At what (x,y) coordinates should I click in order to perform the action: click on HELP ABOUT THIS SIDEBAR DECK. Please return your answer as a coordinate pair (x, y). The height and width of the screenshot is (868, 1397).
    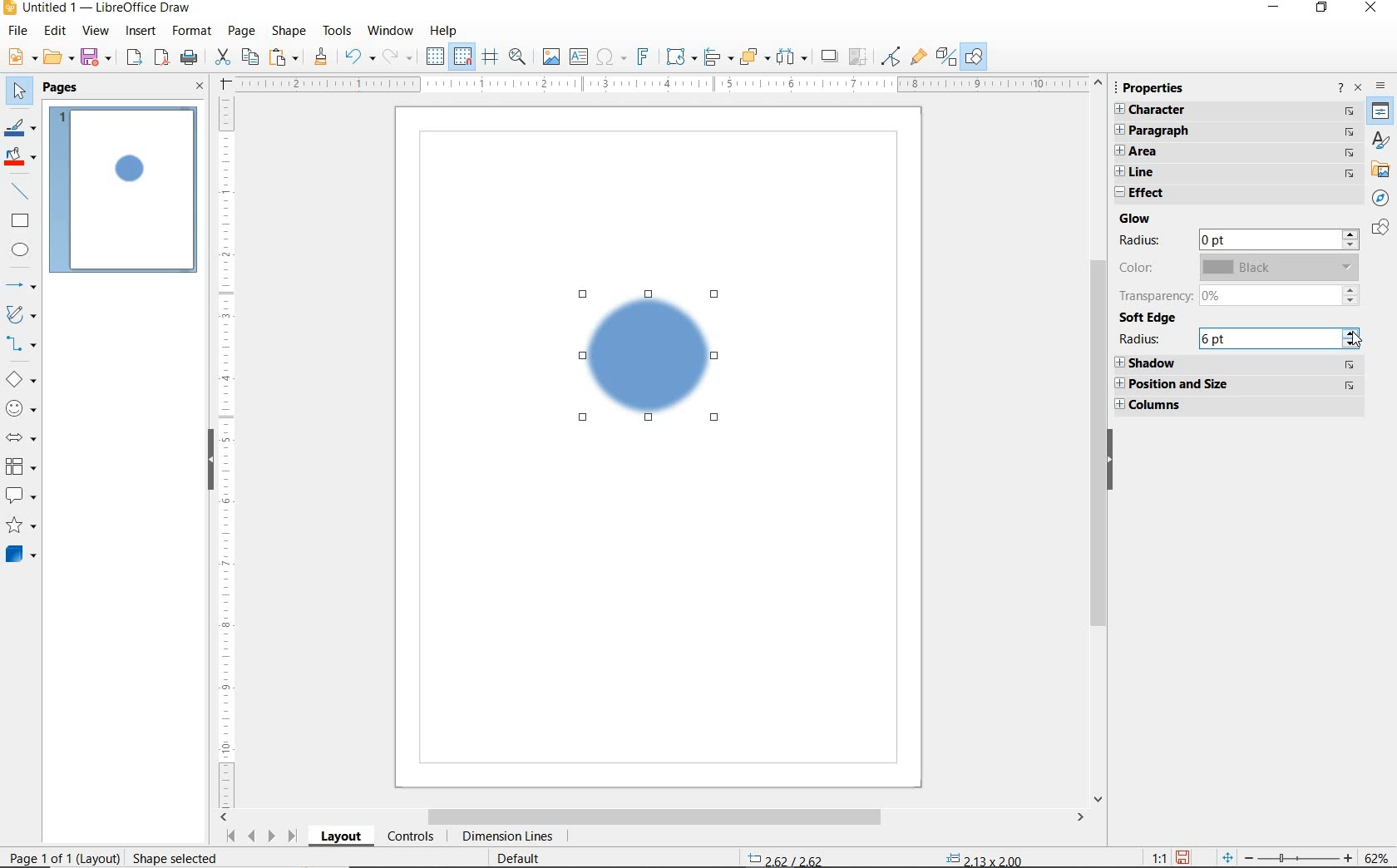
    Looking at the image, I should click on (1340, 89).